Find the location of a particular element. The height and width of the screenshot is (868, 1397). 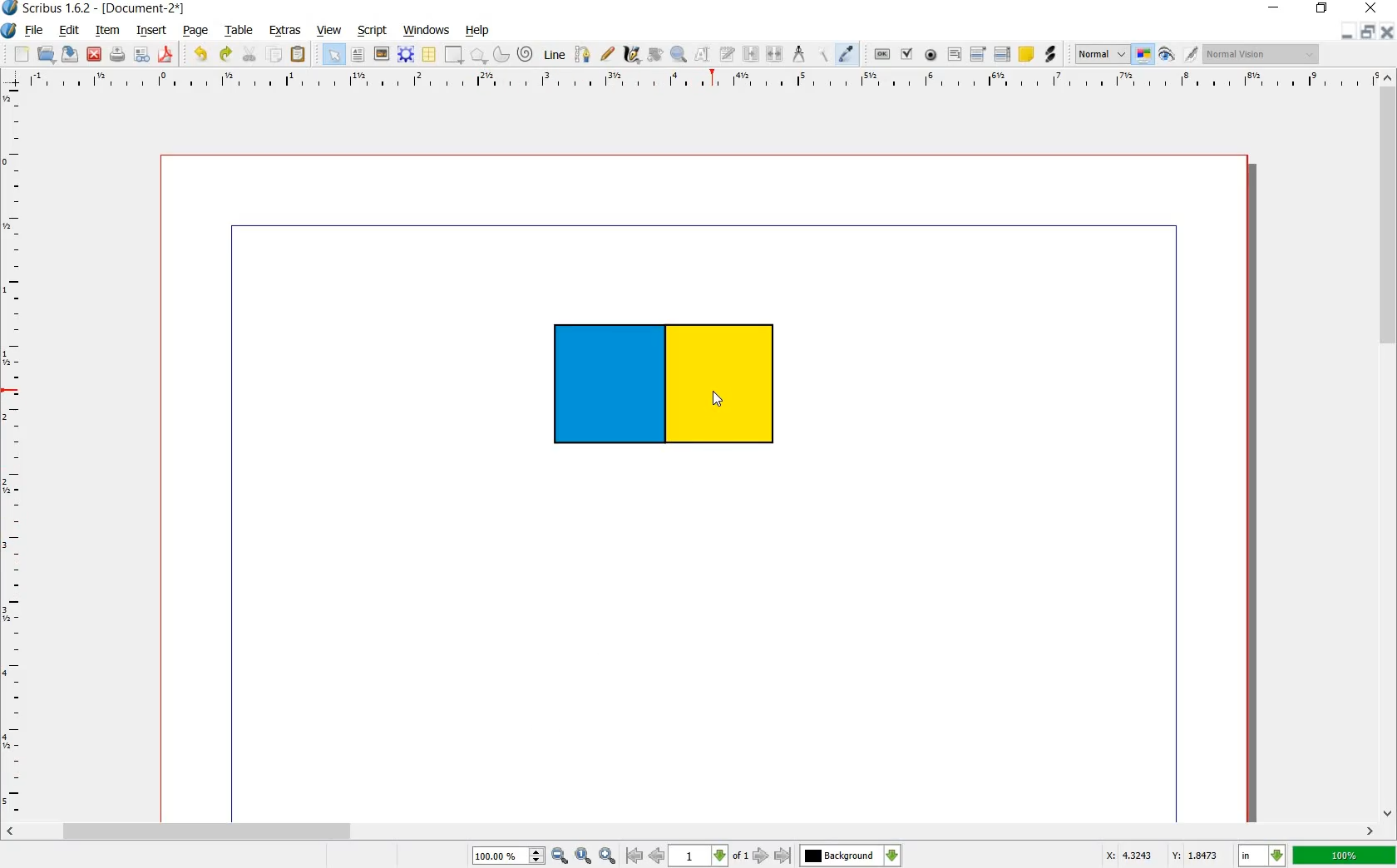

preview mode is located at coordinates (1167, 55).